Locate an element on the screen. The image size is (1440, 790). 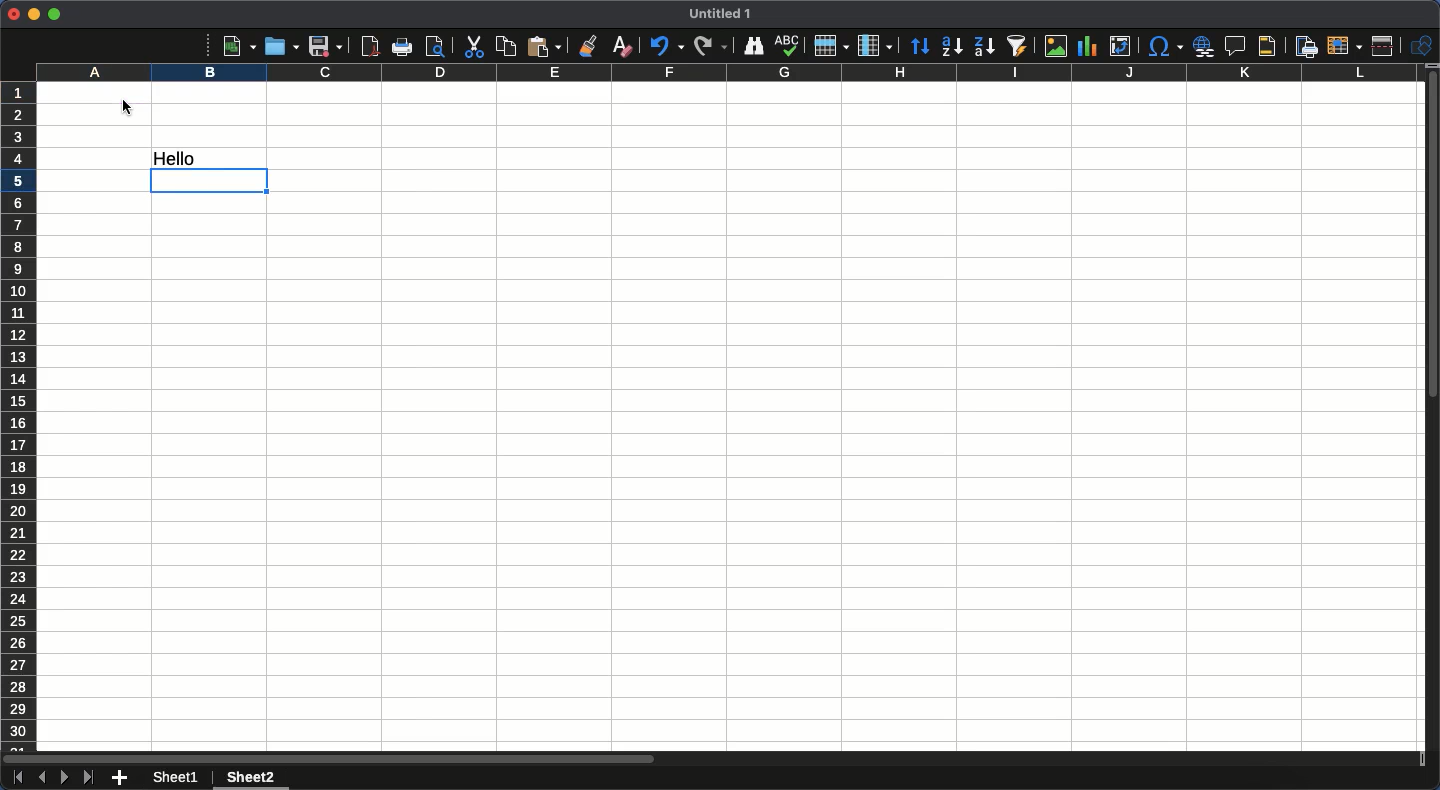
Export as PDF is located at coordinates (369, 46).